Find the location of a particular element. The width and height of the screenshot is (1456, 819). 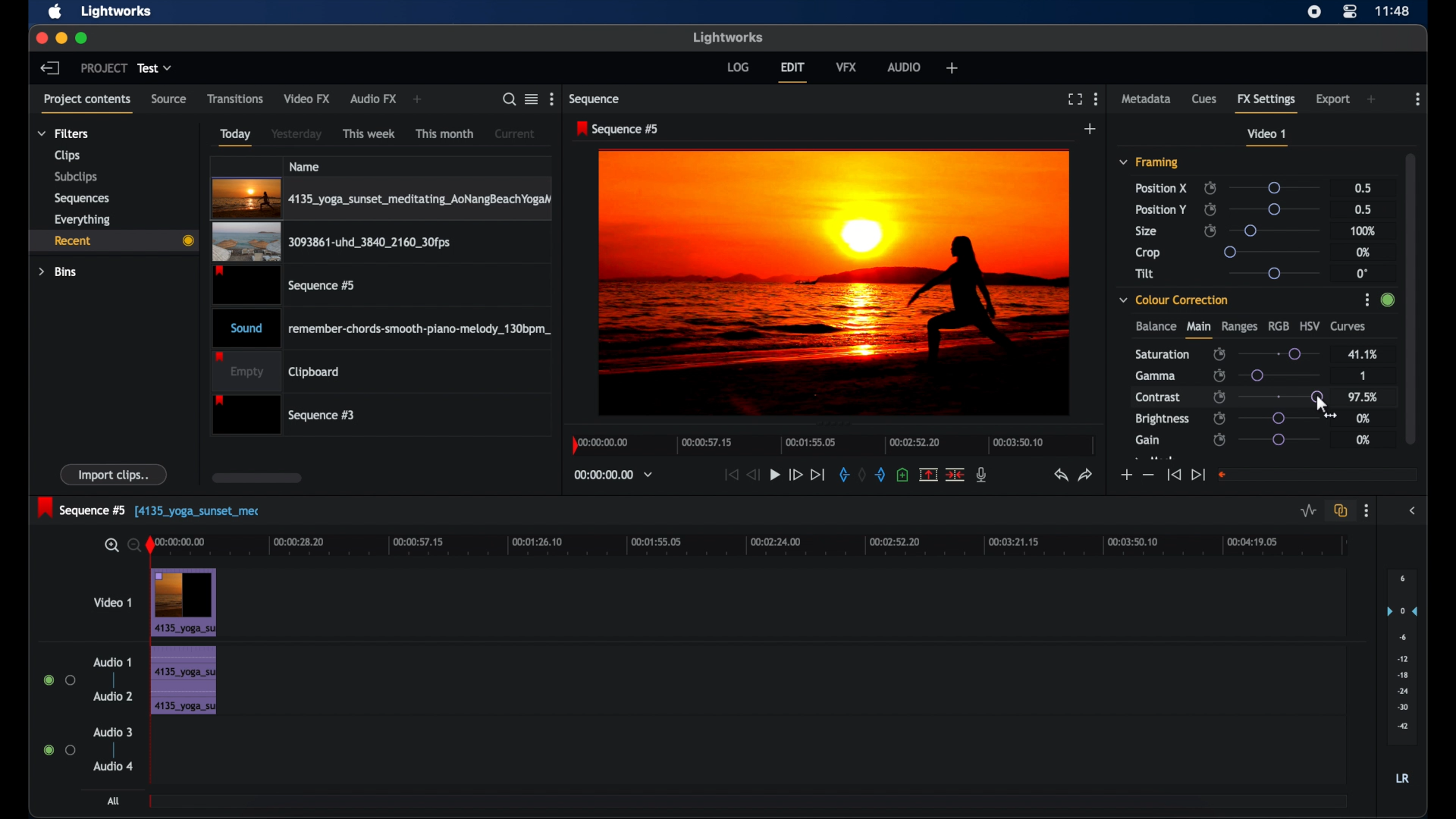

zoom is located at coordinates (120, 544).